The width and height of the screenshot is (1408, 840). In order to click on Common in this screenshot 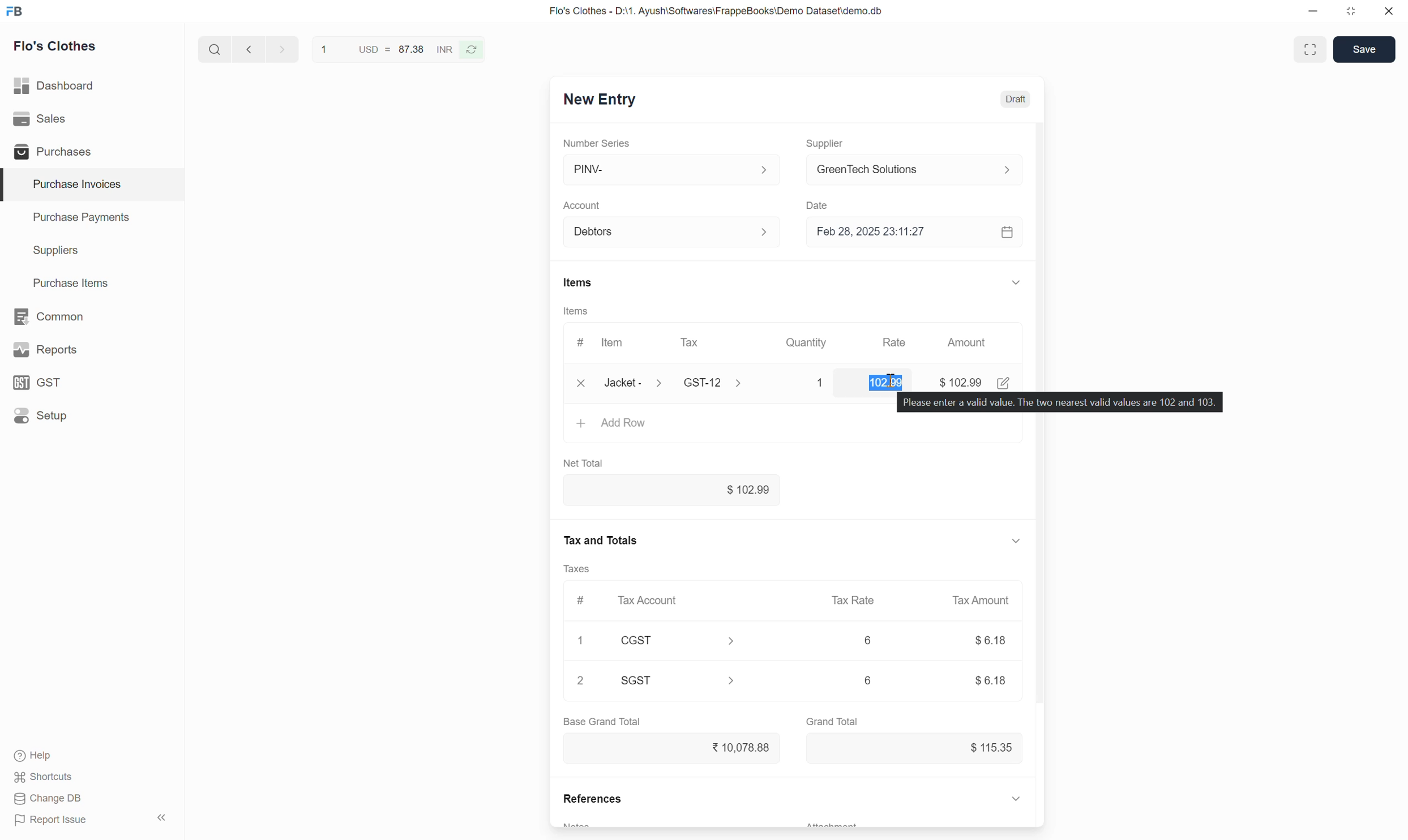, I will do `click(92, 316)`.